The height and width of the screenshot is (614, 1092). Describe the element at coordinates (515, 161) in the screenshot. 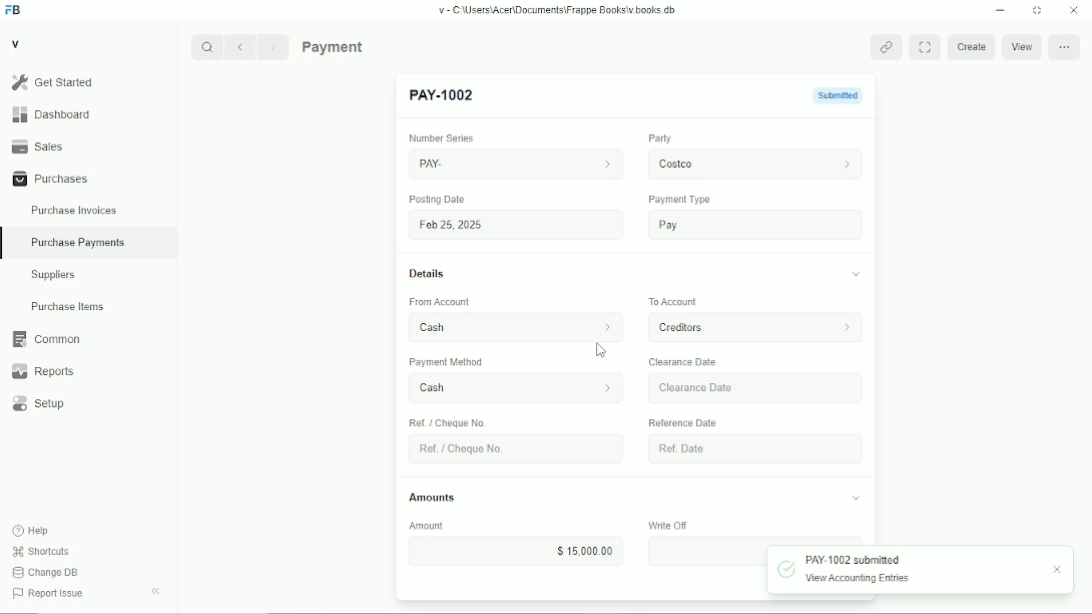

I see `PAY.` at that location.